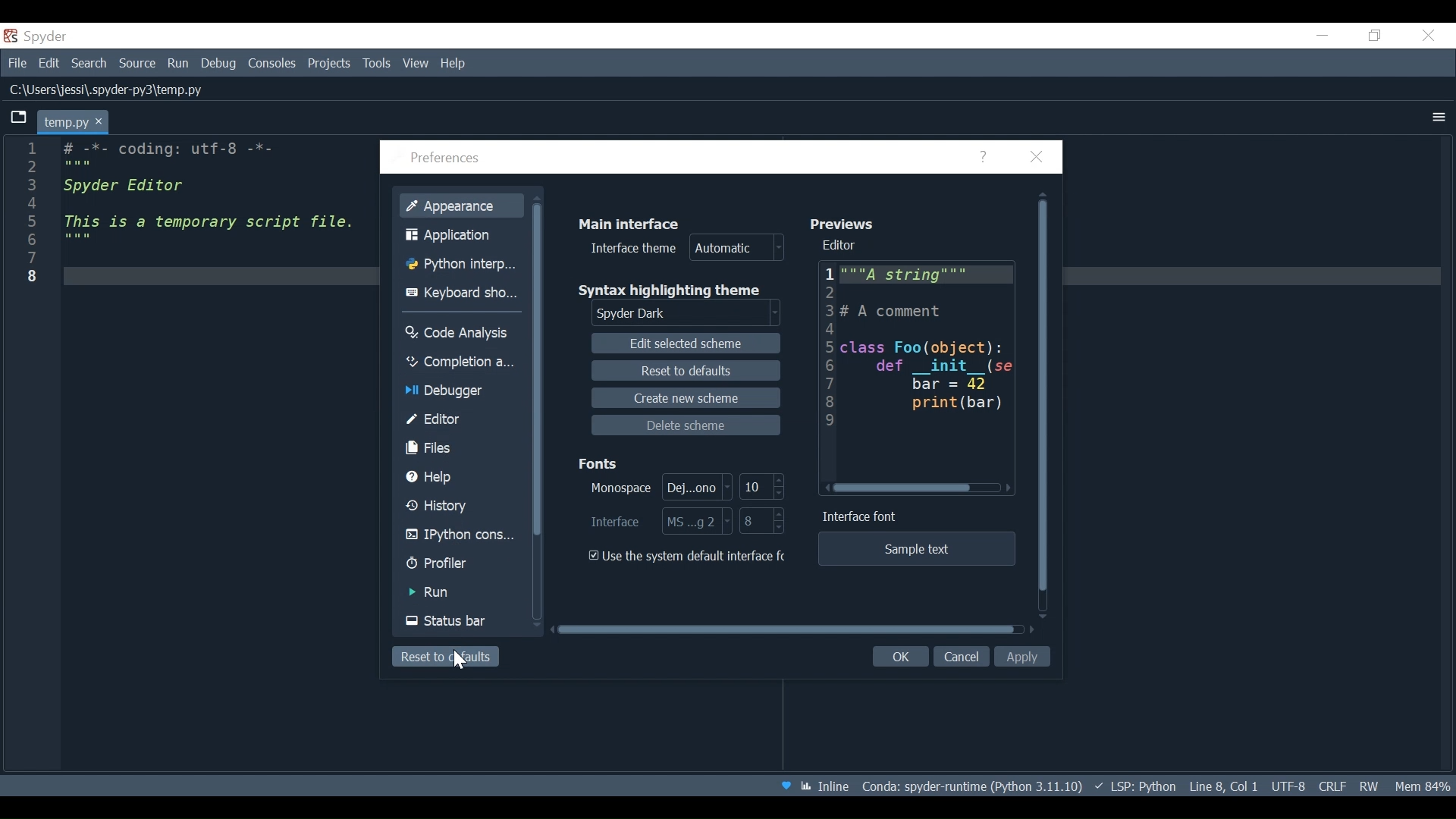 Image resolution: width=1456 pixels, height=819 pixels. I want to click on Editor, so click(461, 419).